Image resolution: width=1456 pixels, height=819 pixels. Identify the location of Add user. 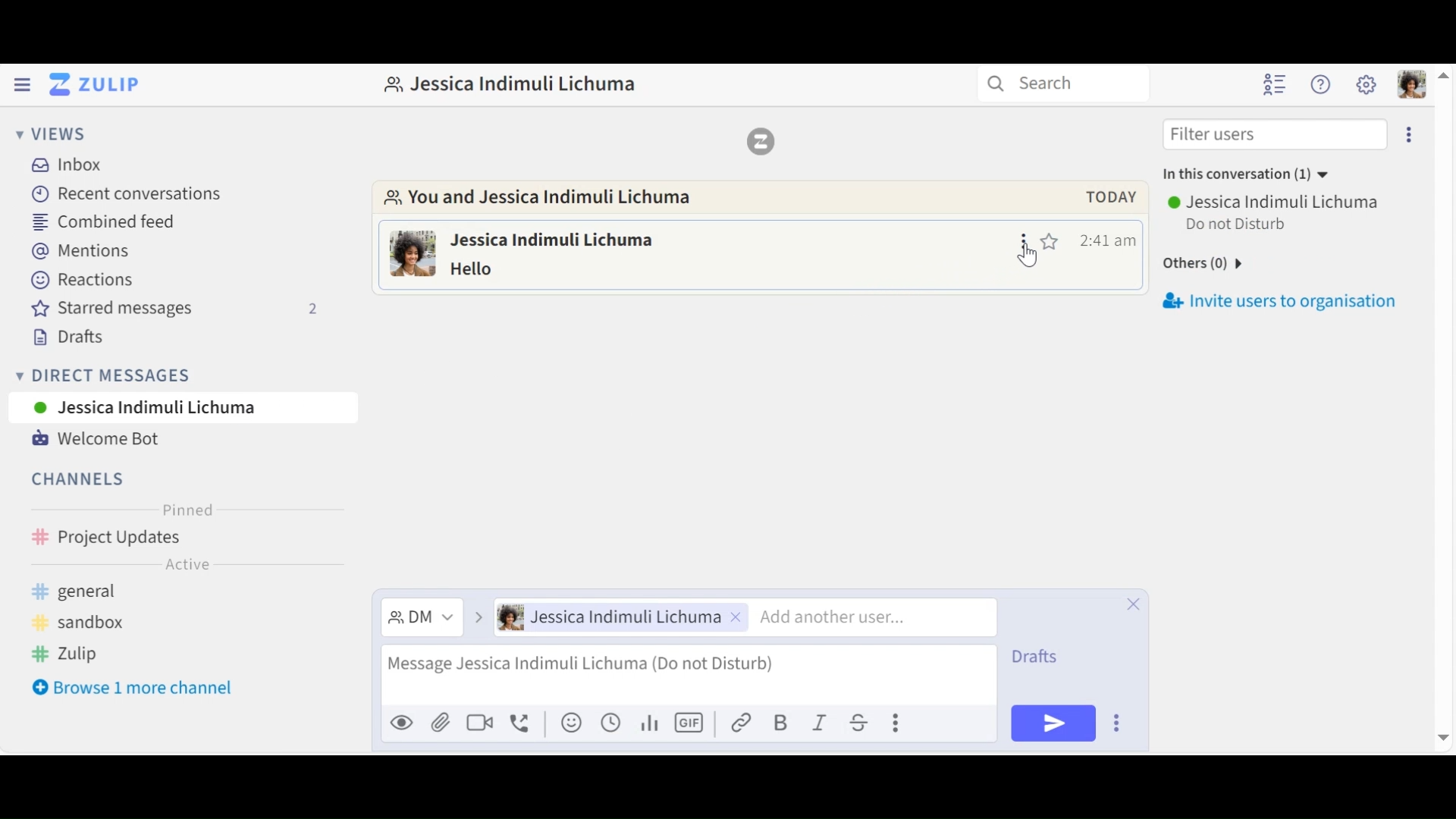
(865, 617).